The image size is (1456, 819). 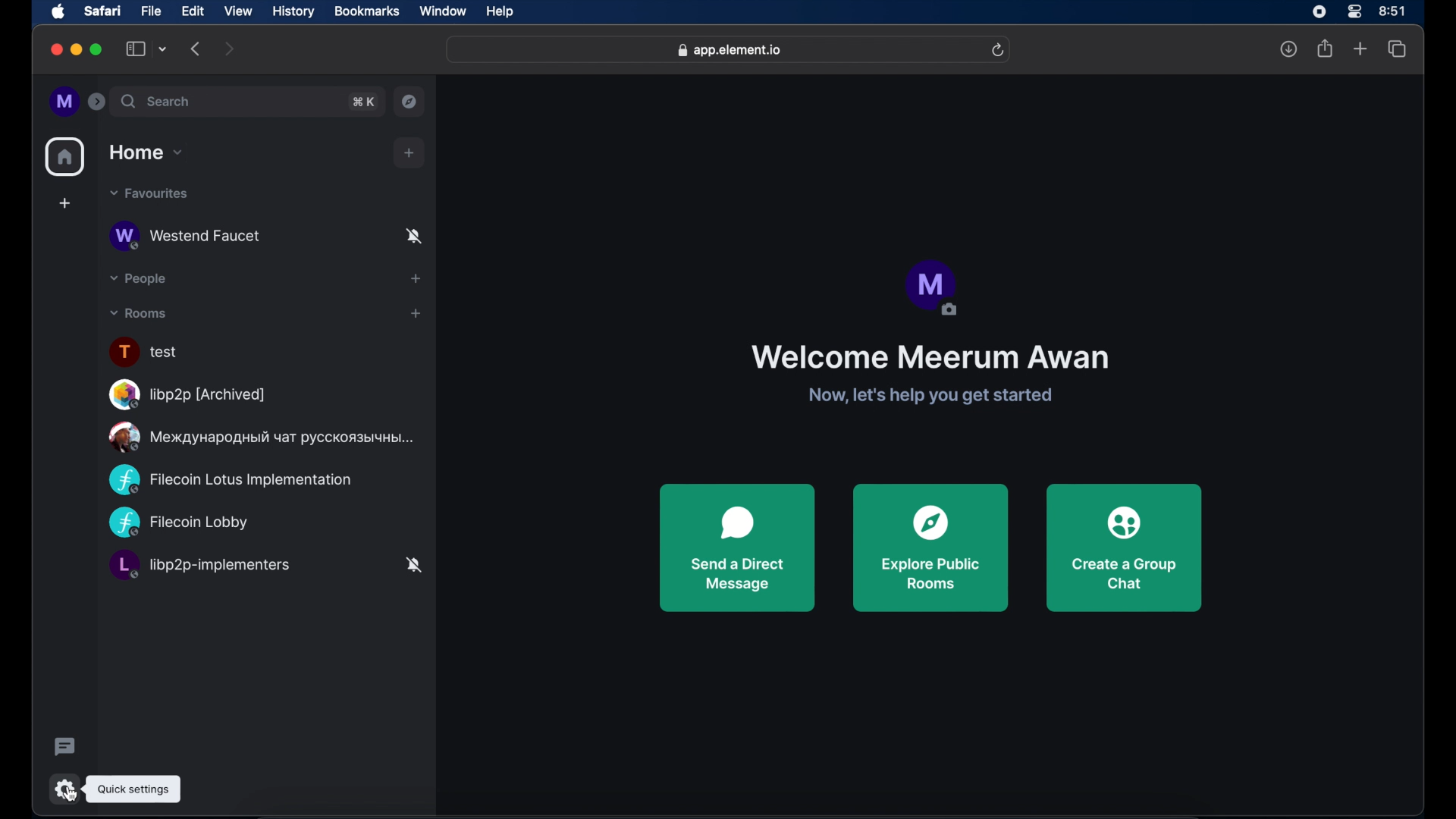 What do you see at coordinates (368, 12) in the screenshot?
I see `bookmarks` at bounding box center [368, 12].